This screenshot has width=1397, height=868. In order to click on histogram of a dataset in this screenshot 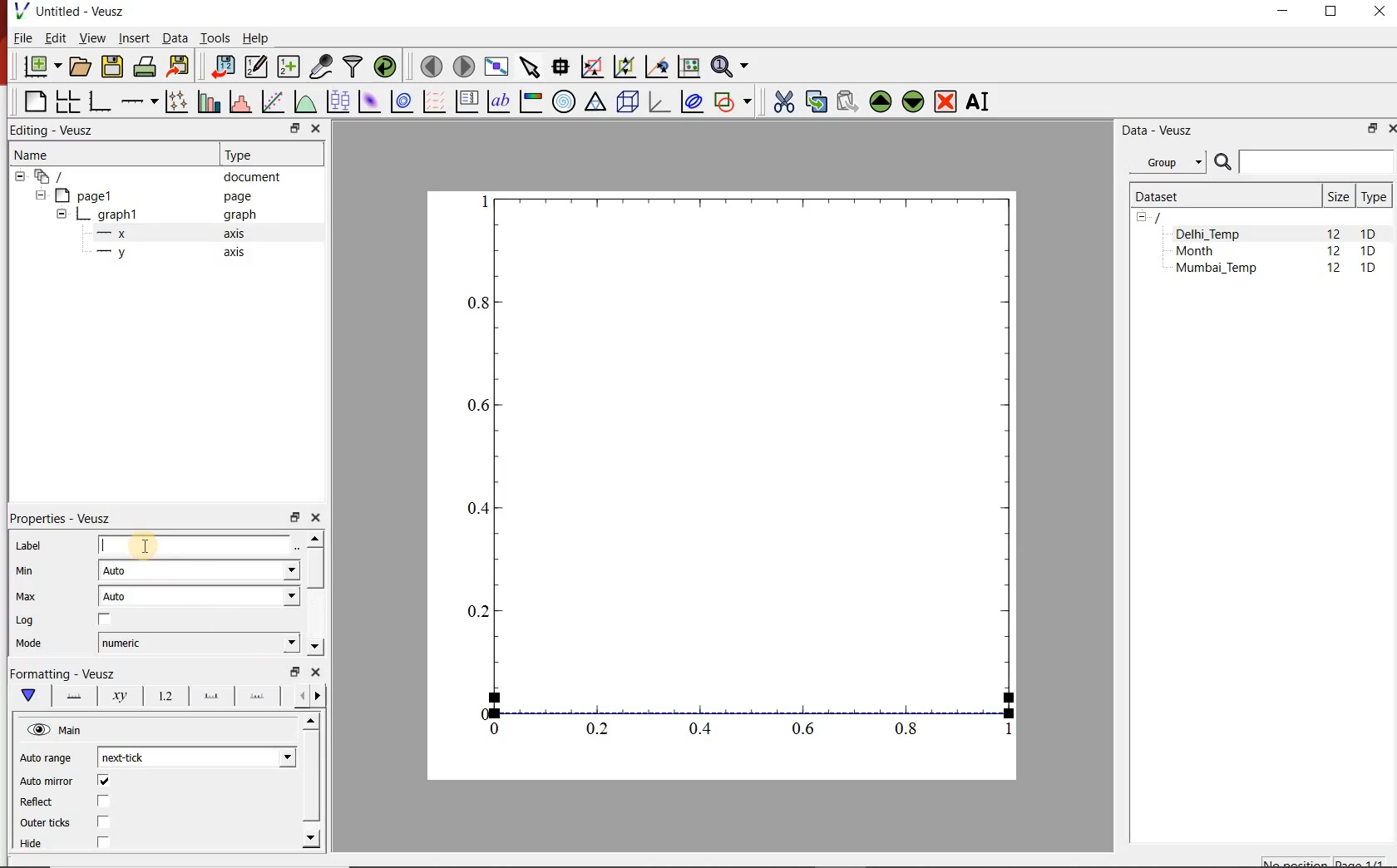, I will do `click(239, 101)`.